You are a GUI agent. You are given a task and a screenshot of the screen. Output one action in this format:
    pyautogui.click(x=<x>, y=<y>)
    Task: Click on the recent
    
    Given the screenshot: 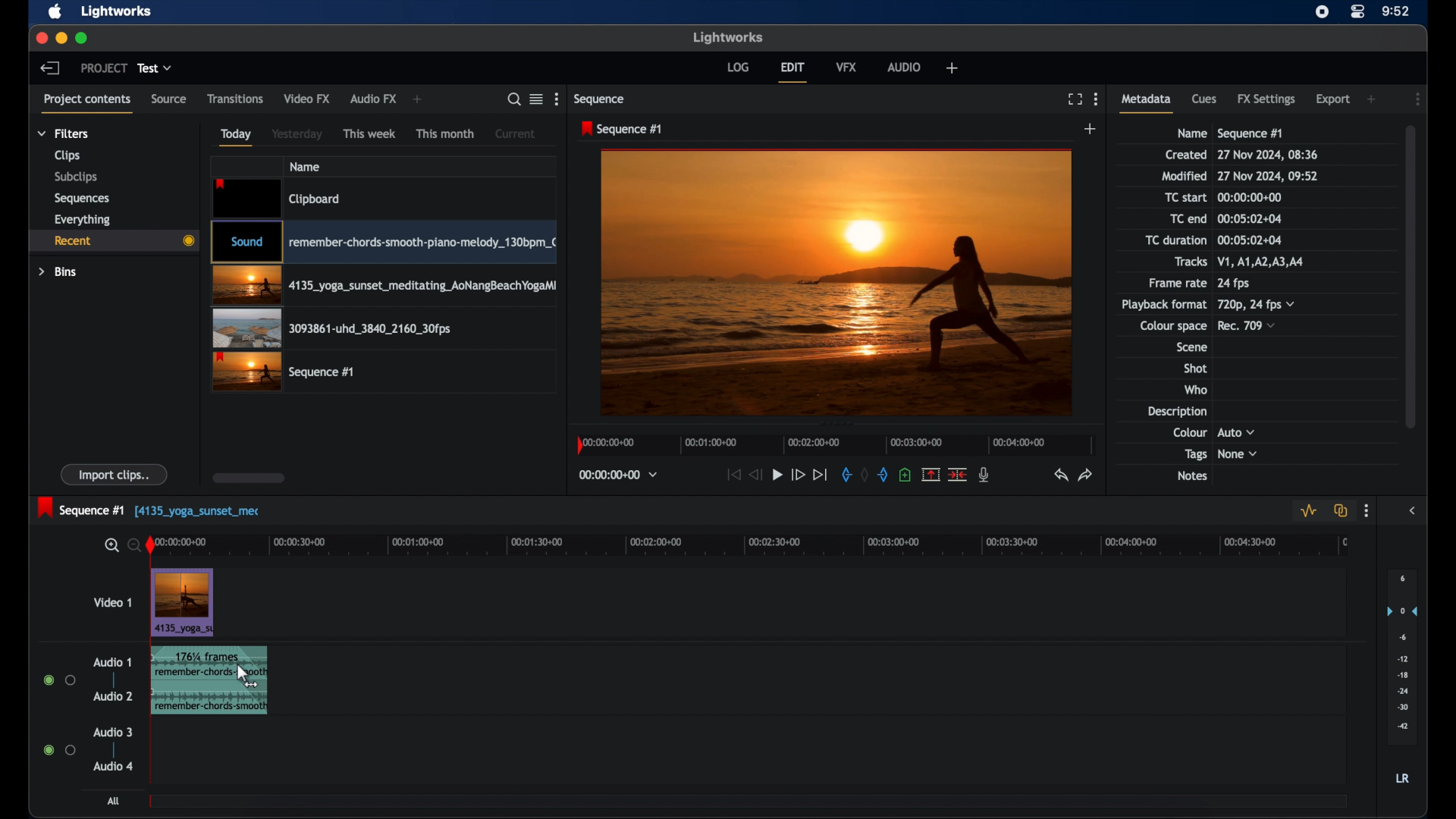 What is the action you would take?
    pyautogui.click(x=113, y=243)
    